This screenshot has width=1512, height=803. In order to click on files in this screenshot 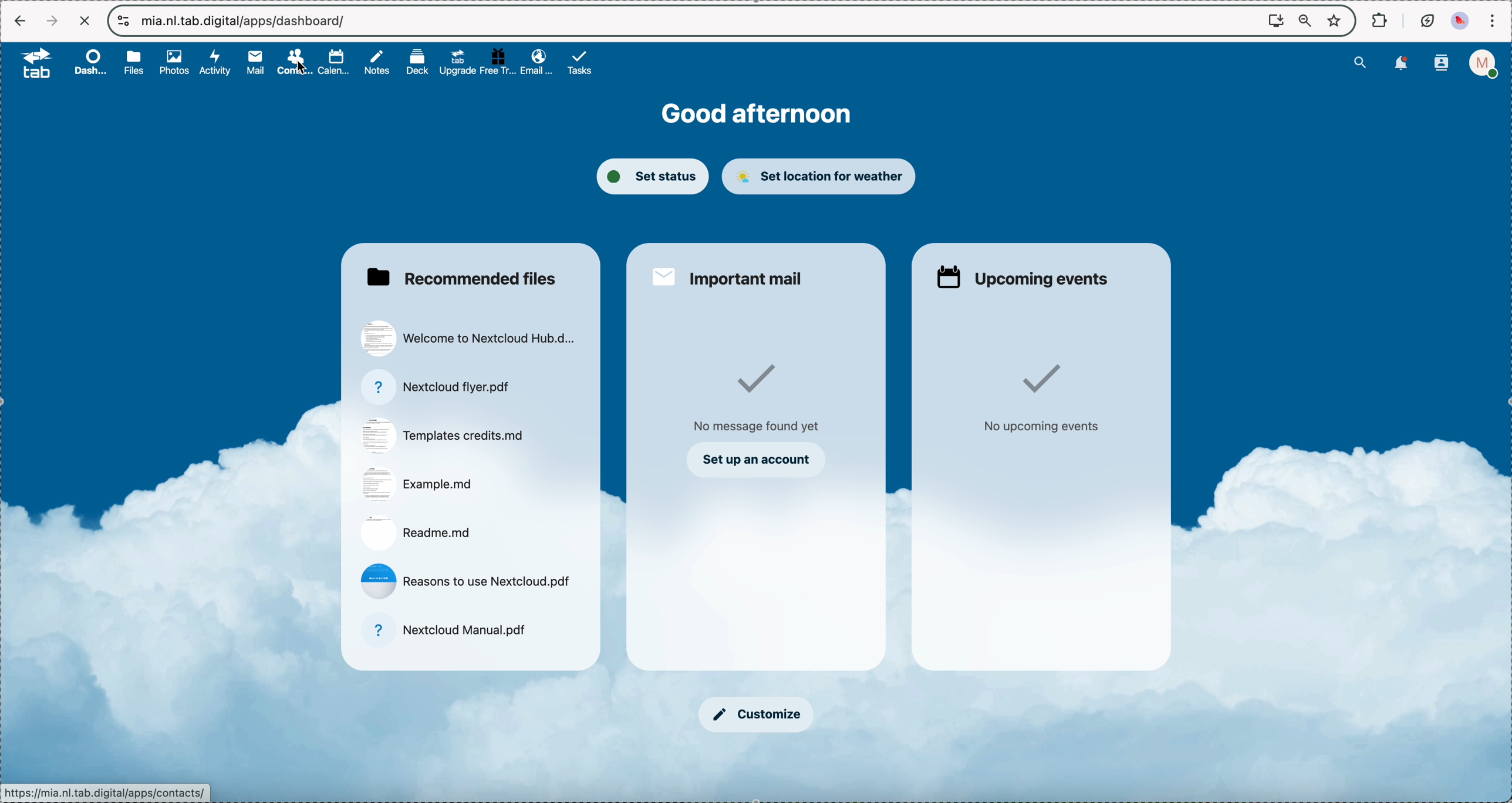, I will do `click(136, 64)`.